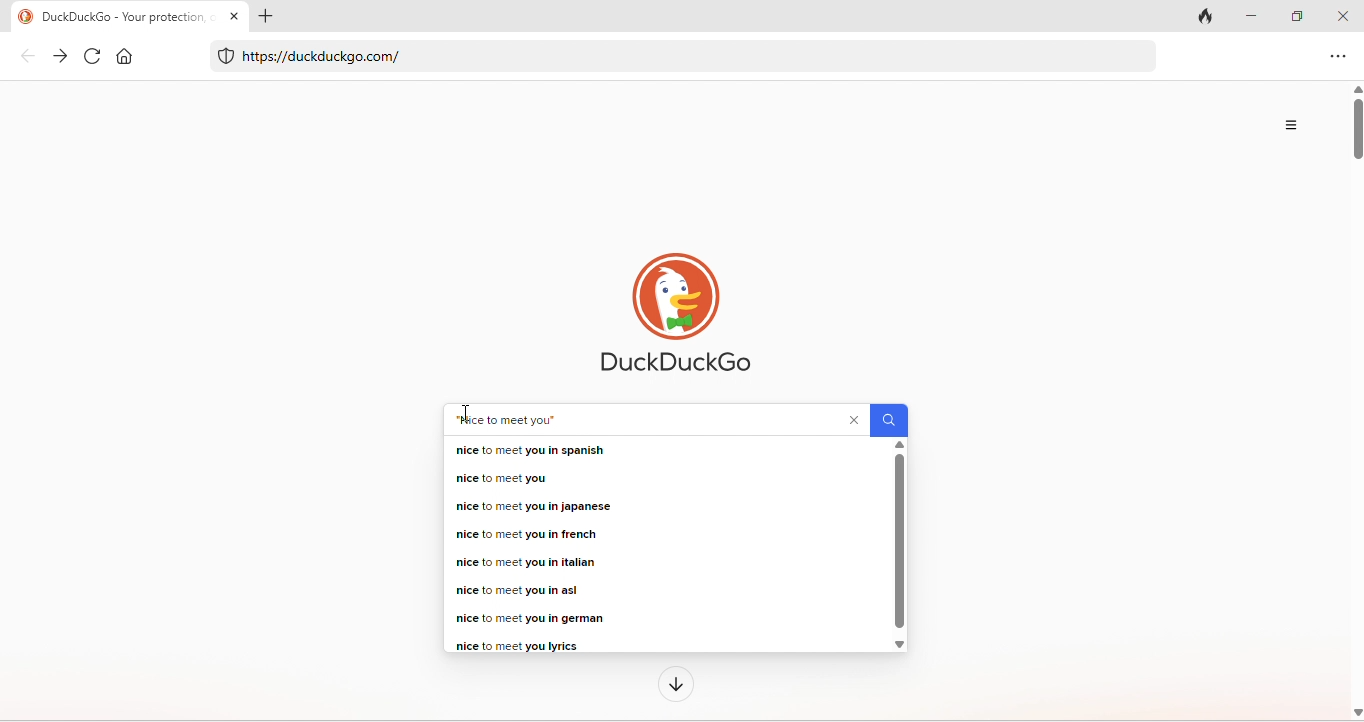 The width and height of the screenshot is (1364, 722). I want to click on forward, so click(63, 57).